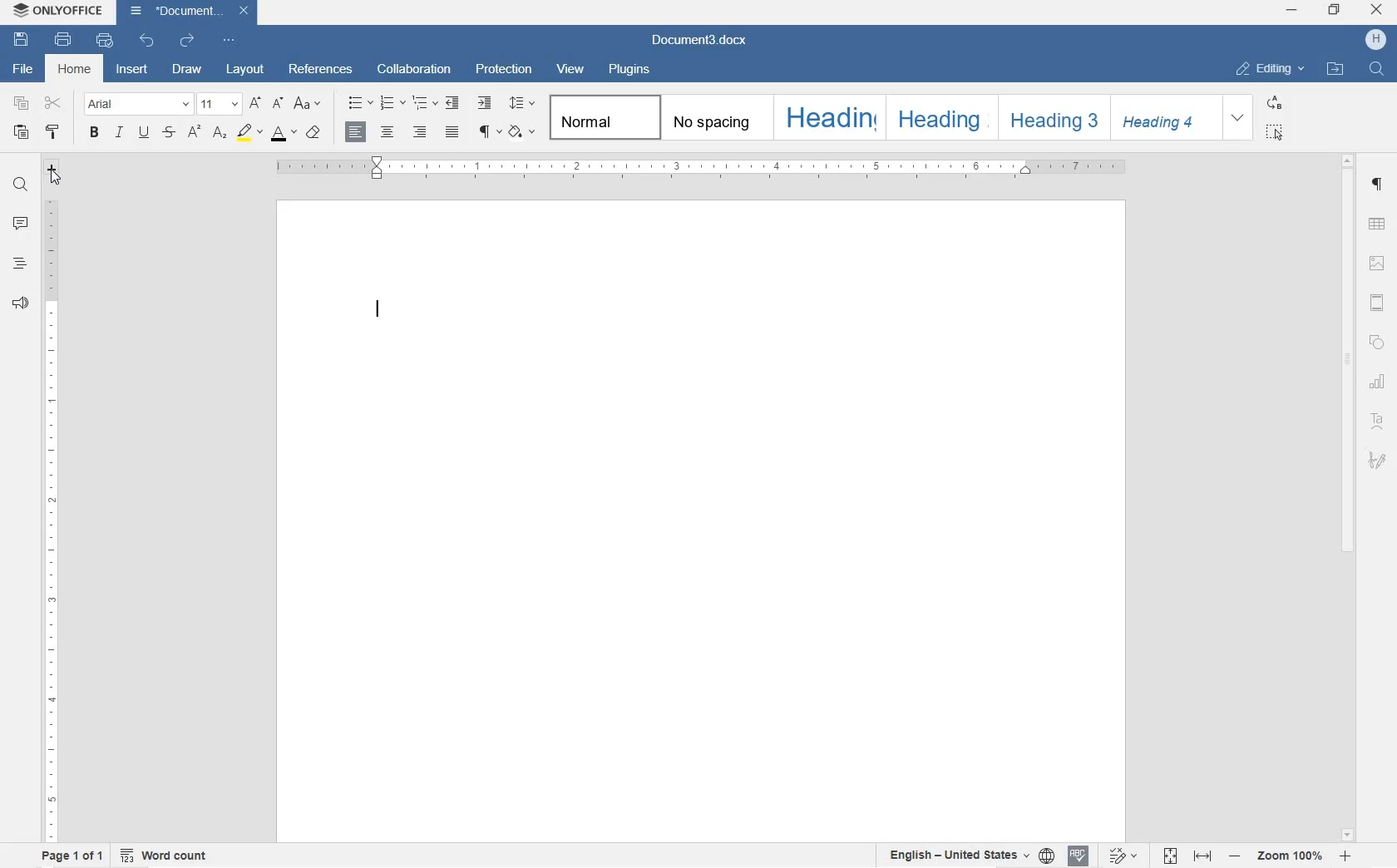  I want to click on OPEN FILE LOCATION, so click(1335, 67).